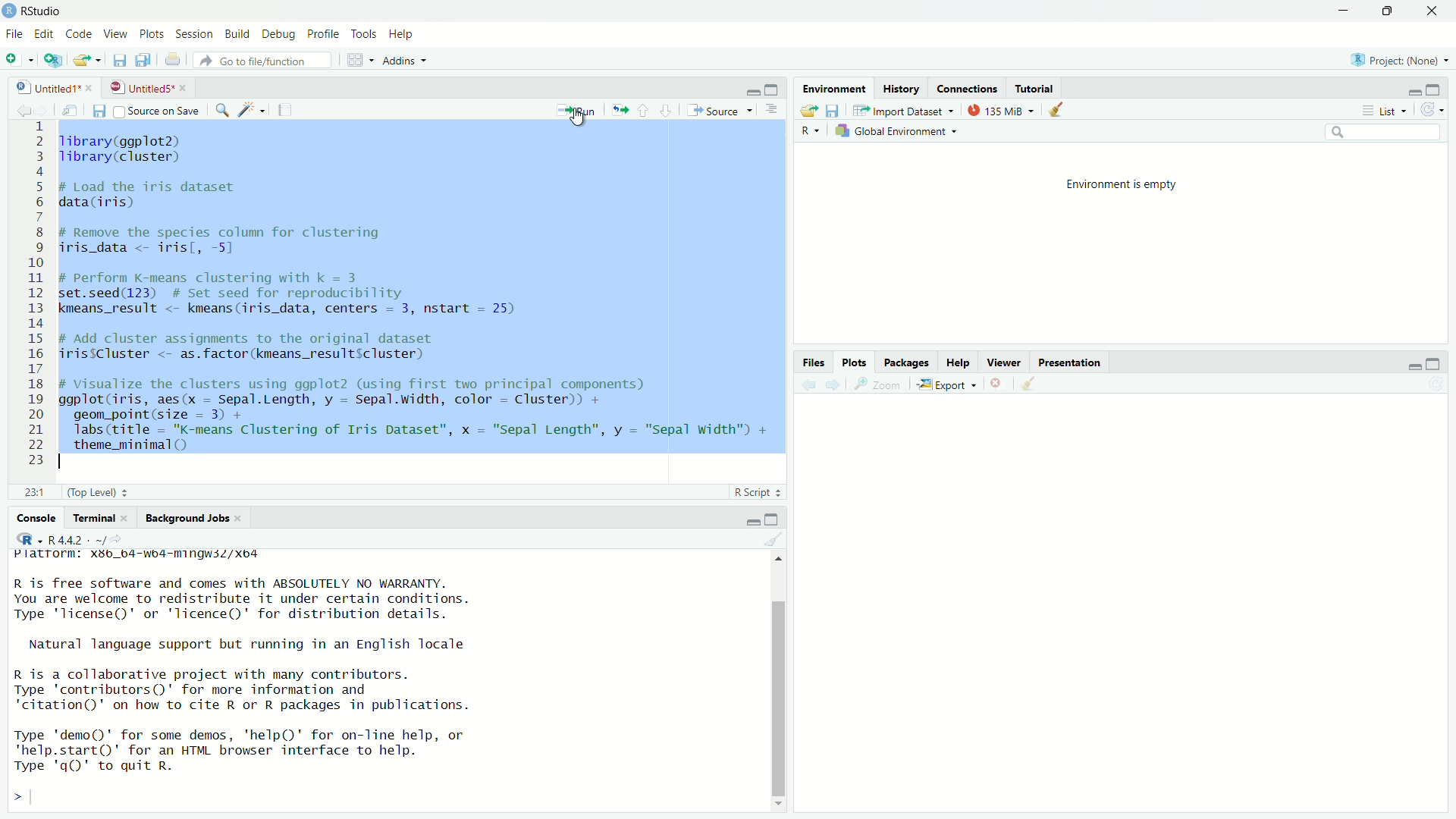 The width and height of the screenshot is (1456, 819). Describe the element at coordinates (40, 85) in the screenshot. I see `untitled1` at that location.